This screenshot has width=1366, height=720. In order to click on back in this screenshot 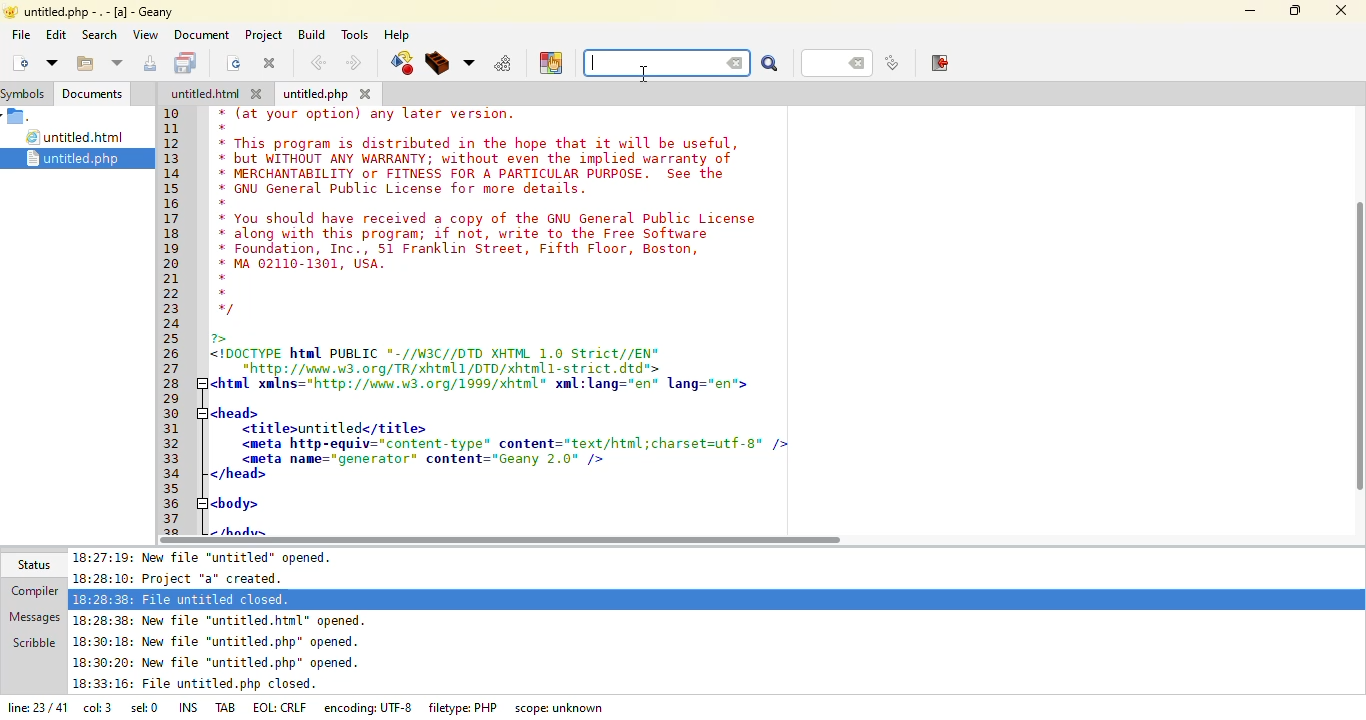, I will do `click(318, 63)`.